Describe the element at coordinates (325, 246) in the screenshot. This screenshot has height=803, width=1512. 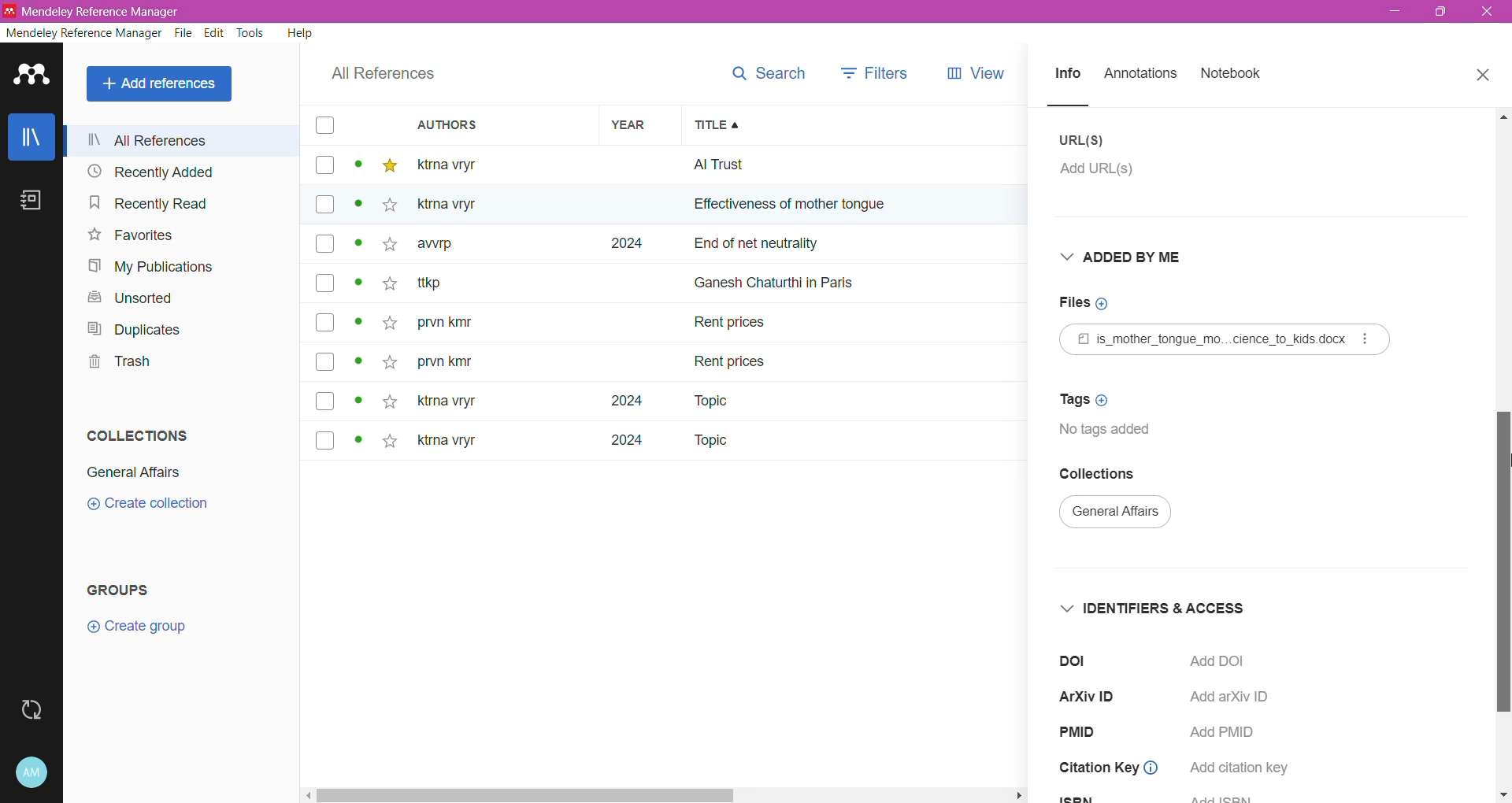
I see `box` at that location.